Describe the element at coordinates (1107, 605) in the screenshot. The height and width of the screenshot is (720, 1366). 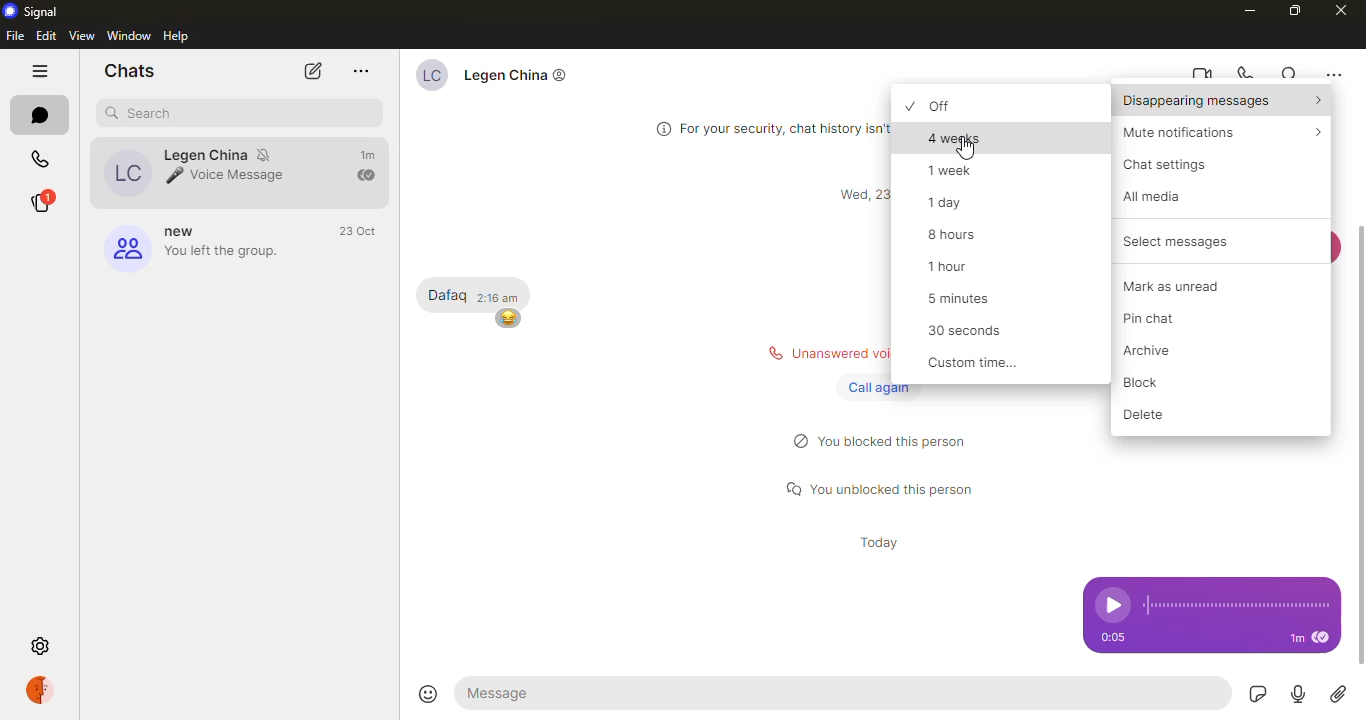
I see `play` at that location.